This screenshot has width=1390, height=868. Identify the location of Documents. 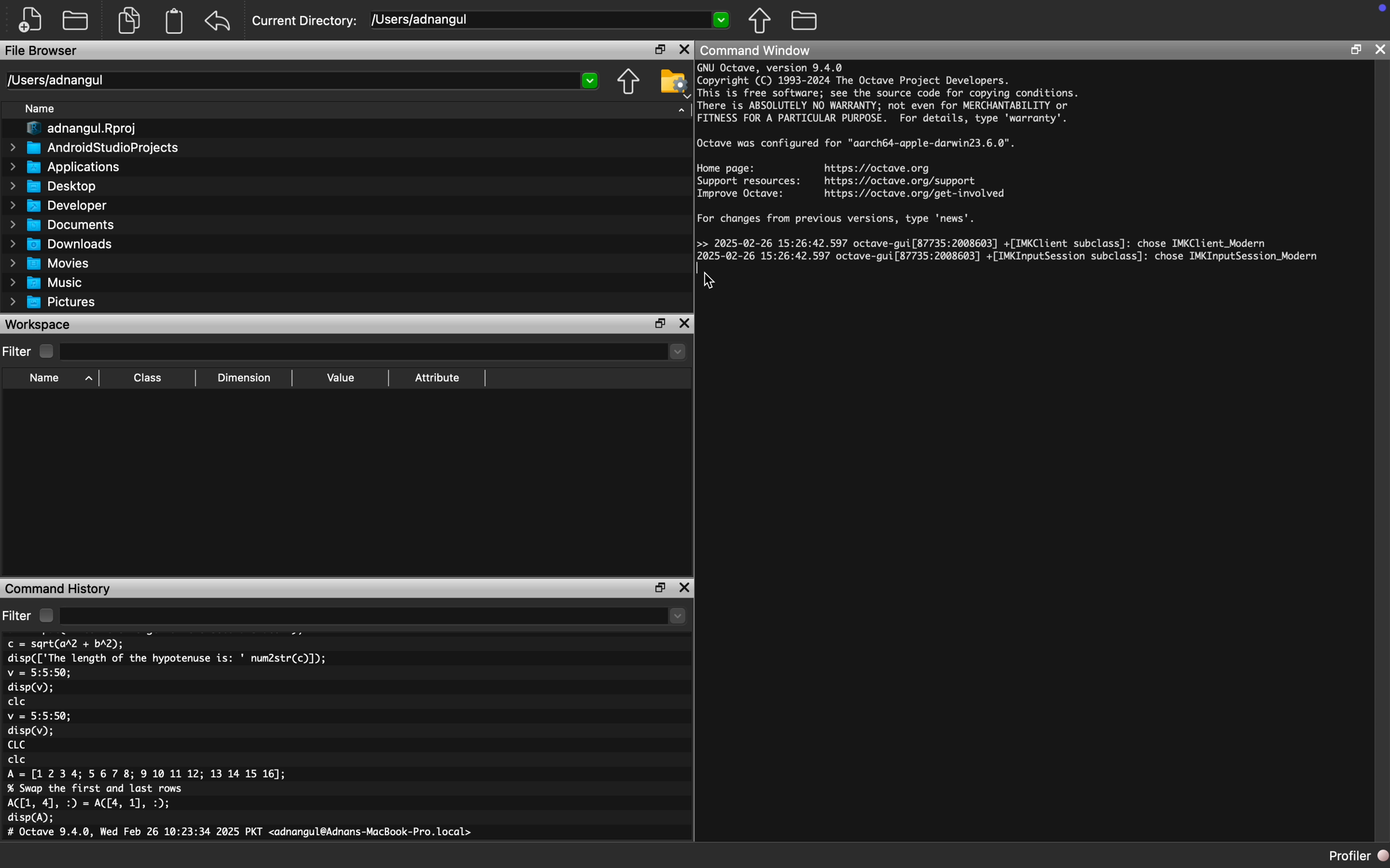
(61, 224).